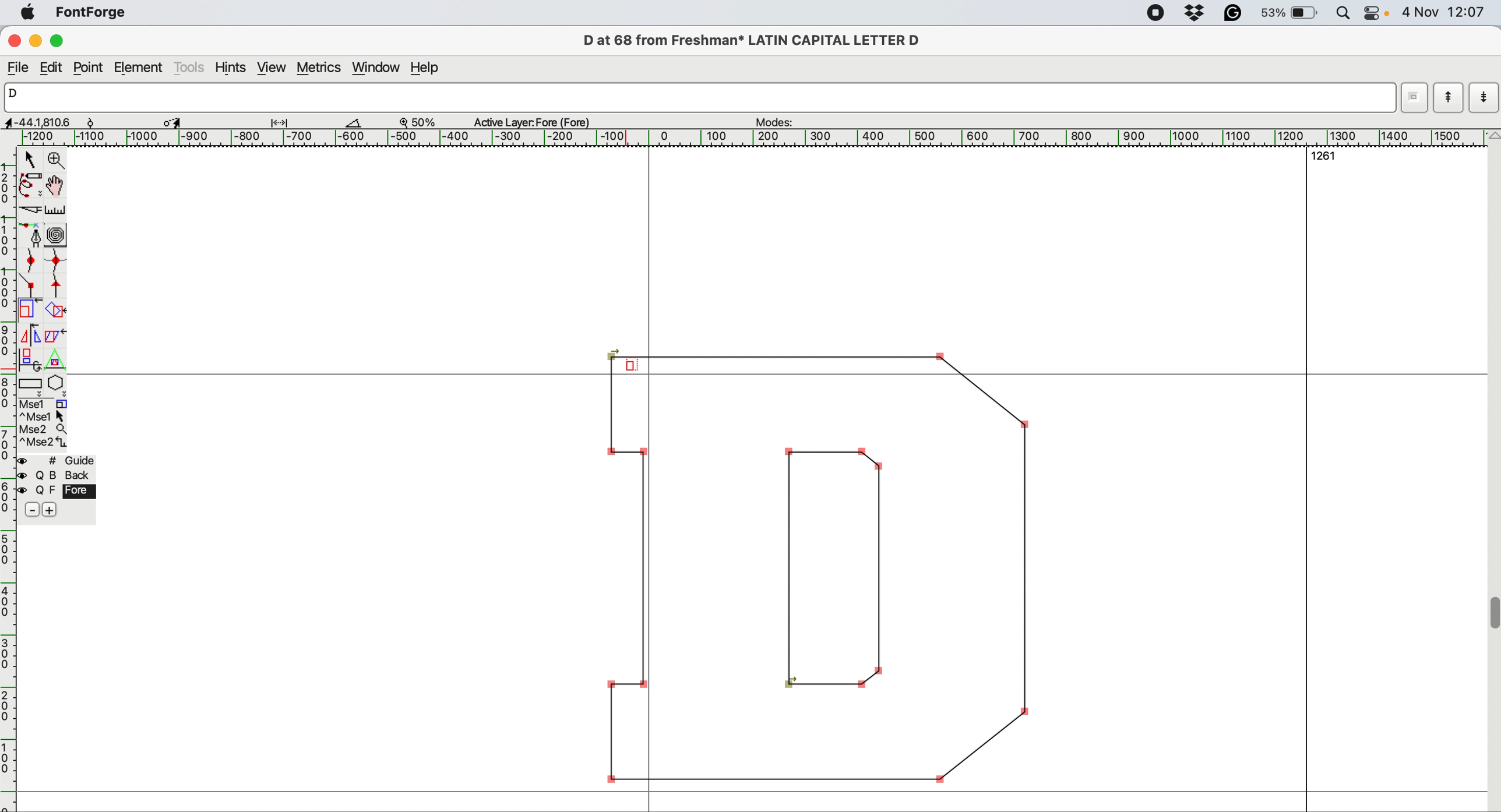 This screenshot has width=1501, height=812. Describe the element at coordinates (56, 211) in the screenshot. I see `measure distance between points` at that location.